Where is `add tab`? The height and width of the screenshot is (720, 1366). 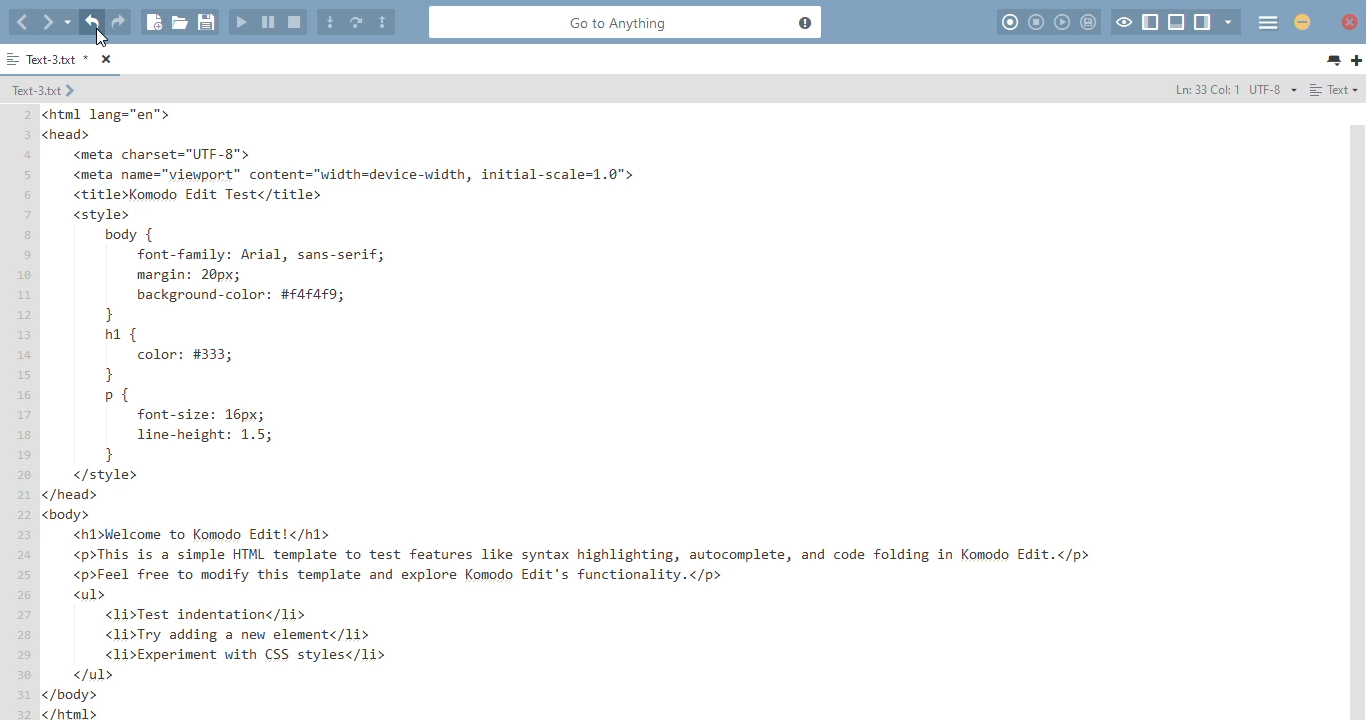
add tab is located at coordinates (1356, 61).